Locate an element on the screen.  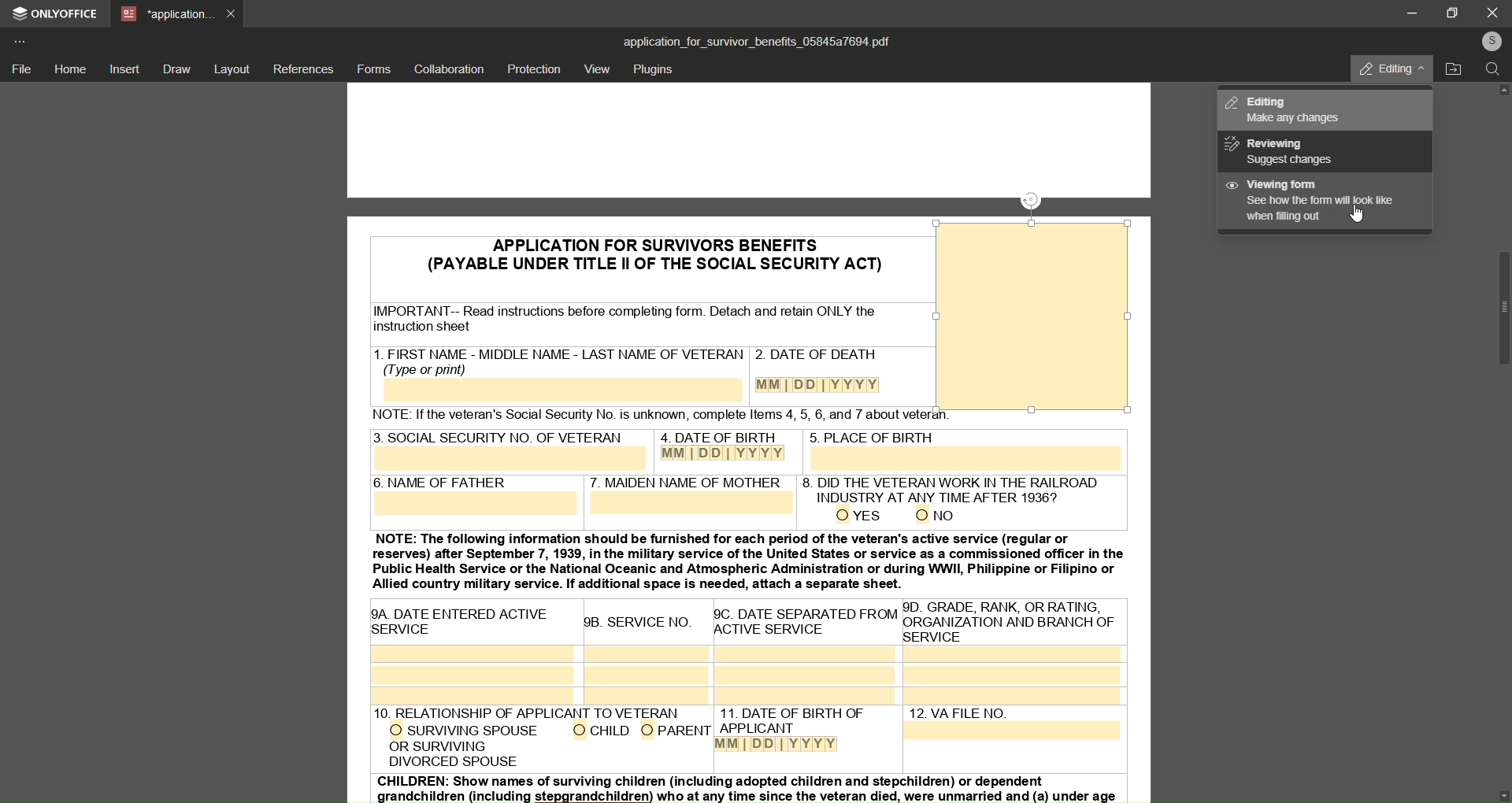
search is located at coordinates (1492, 72).